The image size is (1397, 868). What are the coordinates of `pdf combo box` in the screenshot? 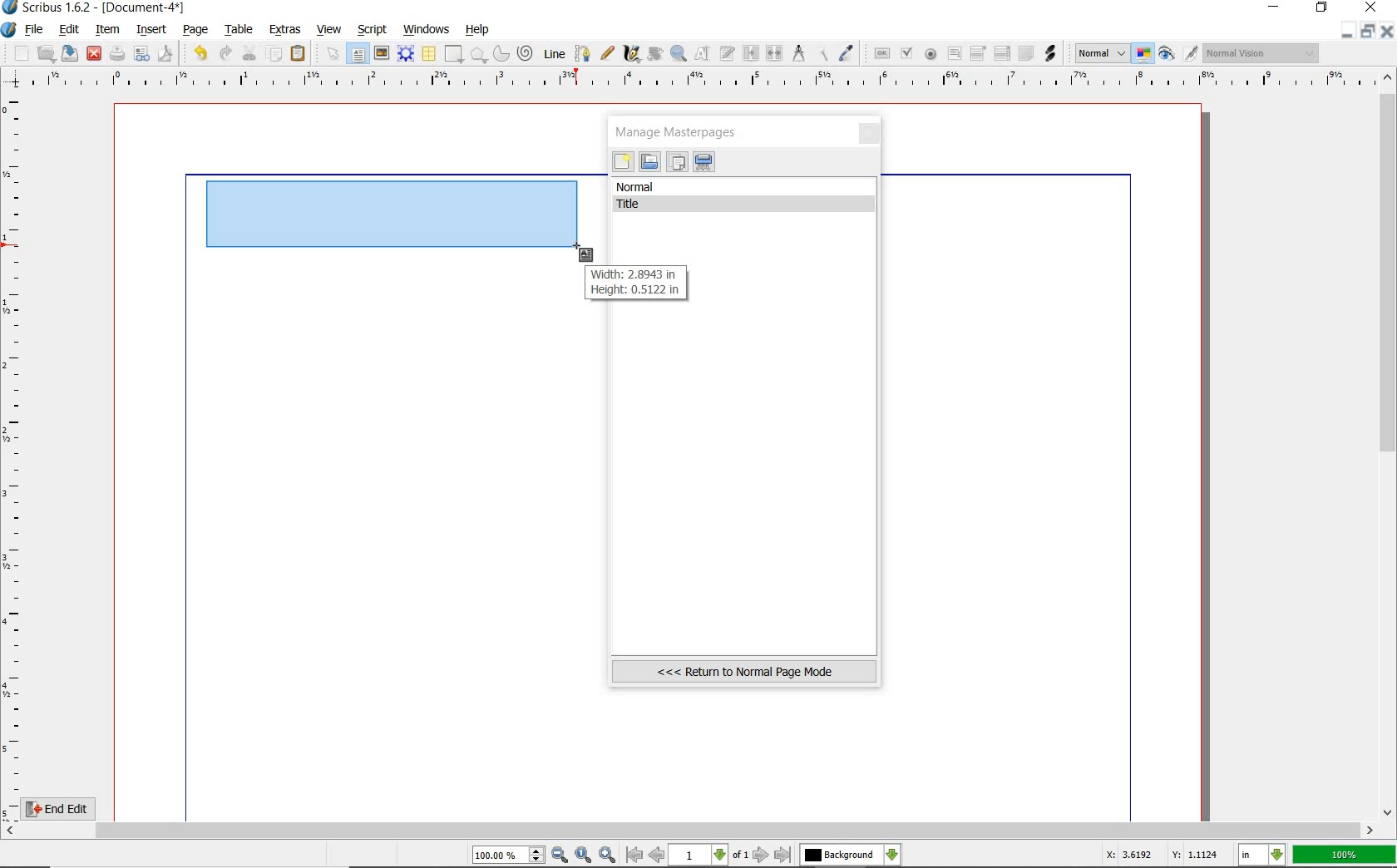 It's located at (979, 52).